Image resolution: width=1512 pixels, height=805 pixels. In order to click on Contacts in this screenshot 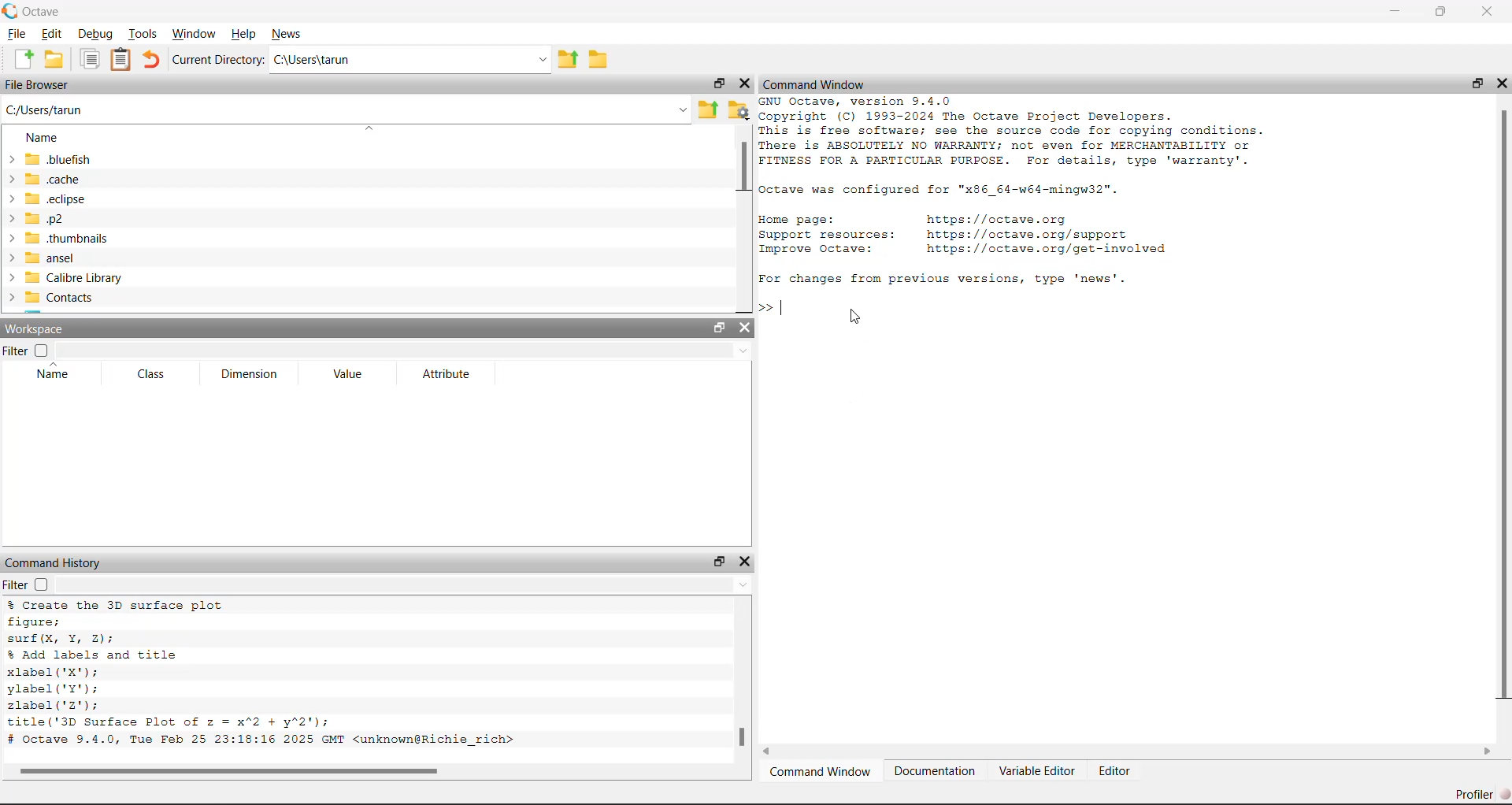, I will do `click(49, 299)`.